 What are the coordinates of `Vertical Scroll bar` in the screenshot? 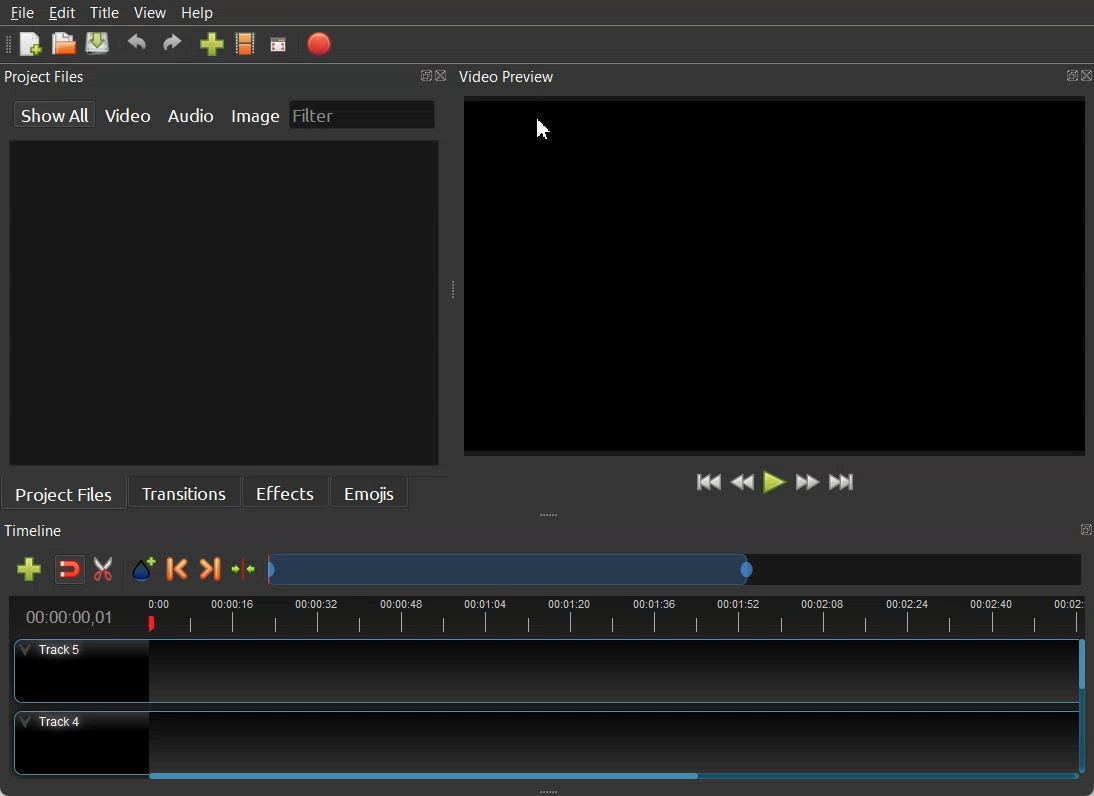 It's located at (1085, 706).